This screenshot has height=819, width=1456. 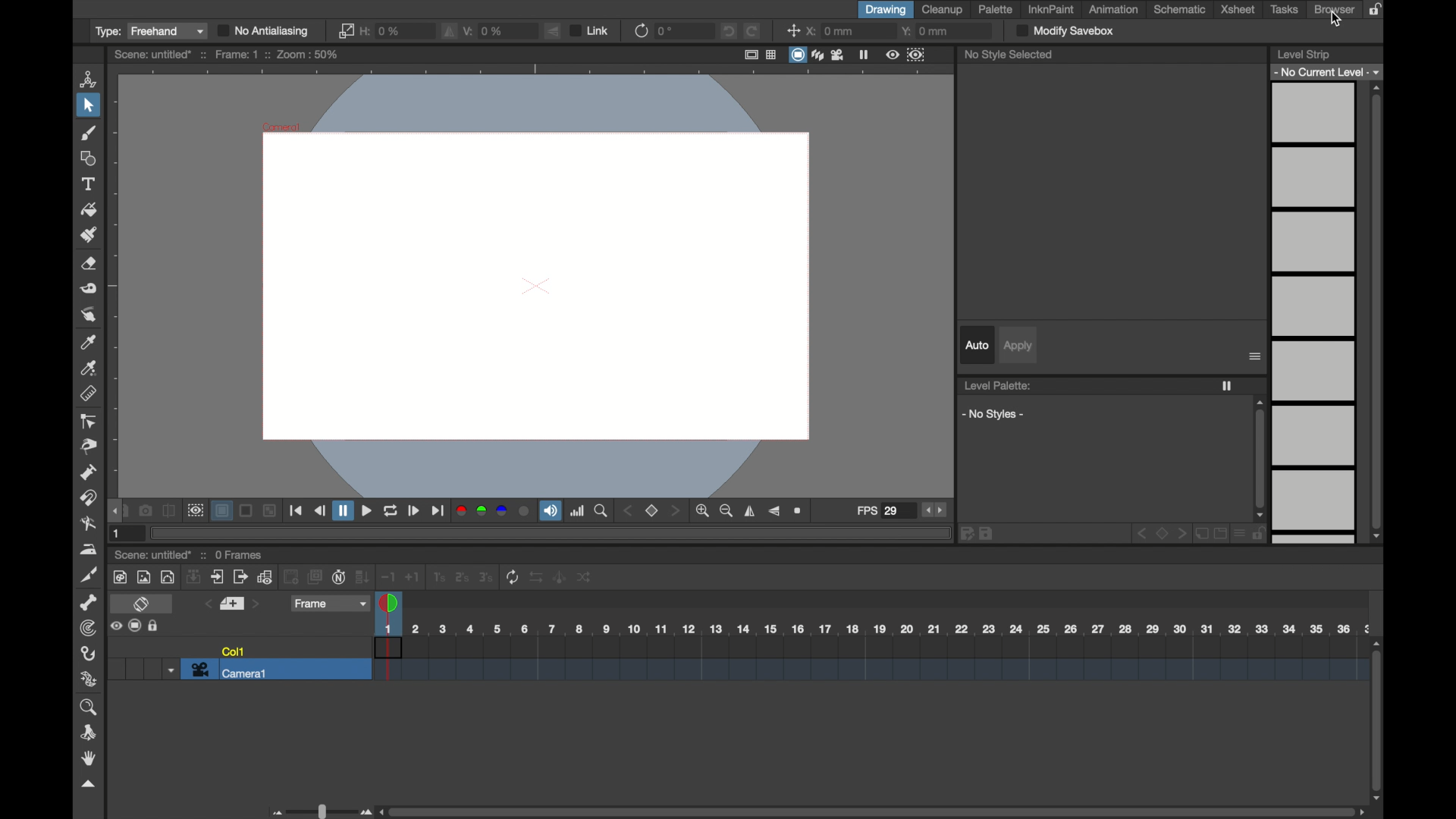 What do you see at coordinates (602, 511) in the screenshot?
I see `zoom` at bounding box center [602, 511].